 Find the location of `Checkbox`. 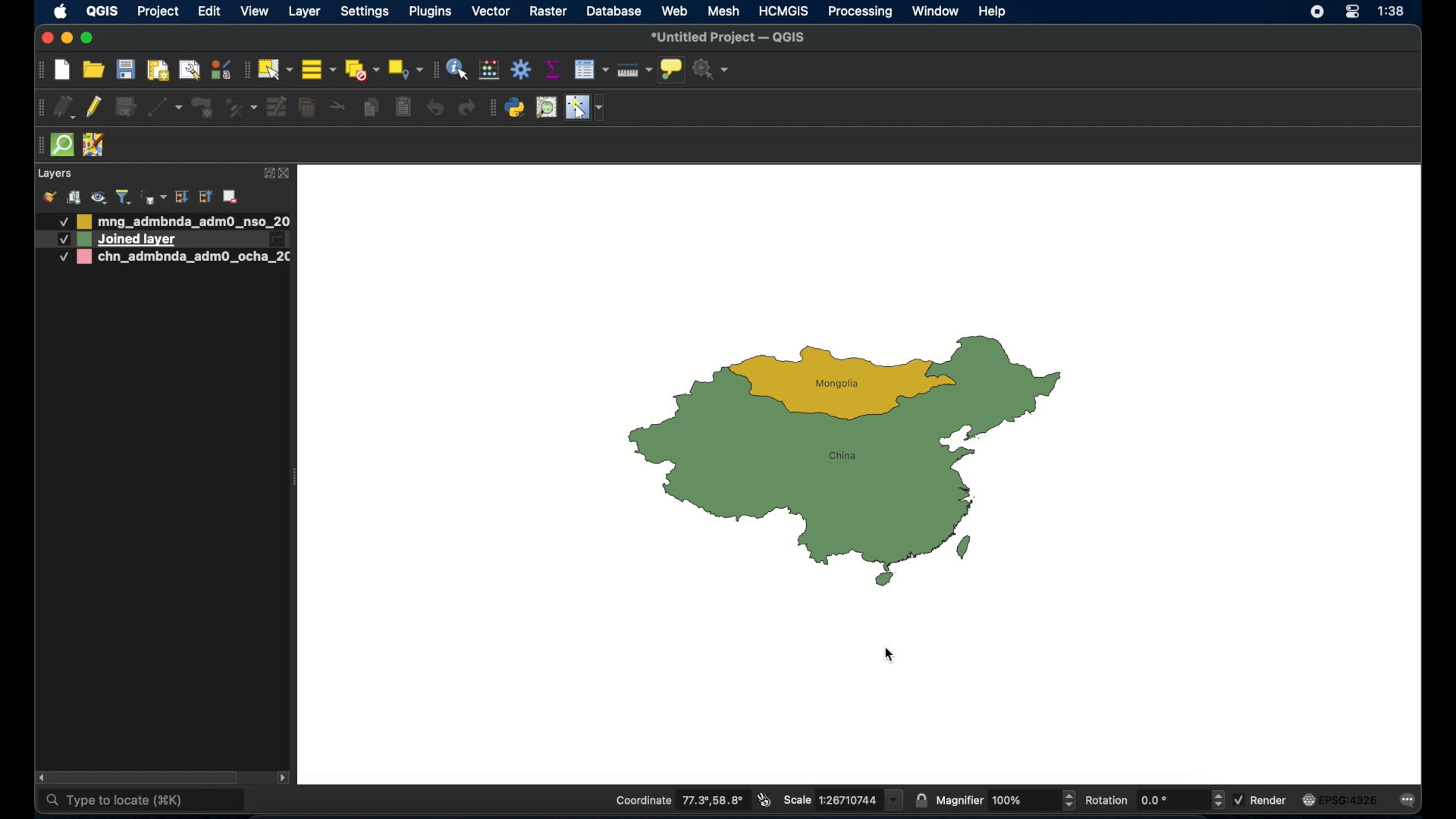

Checkbox is located at coordinates (58, 258).